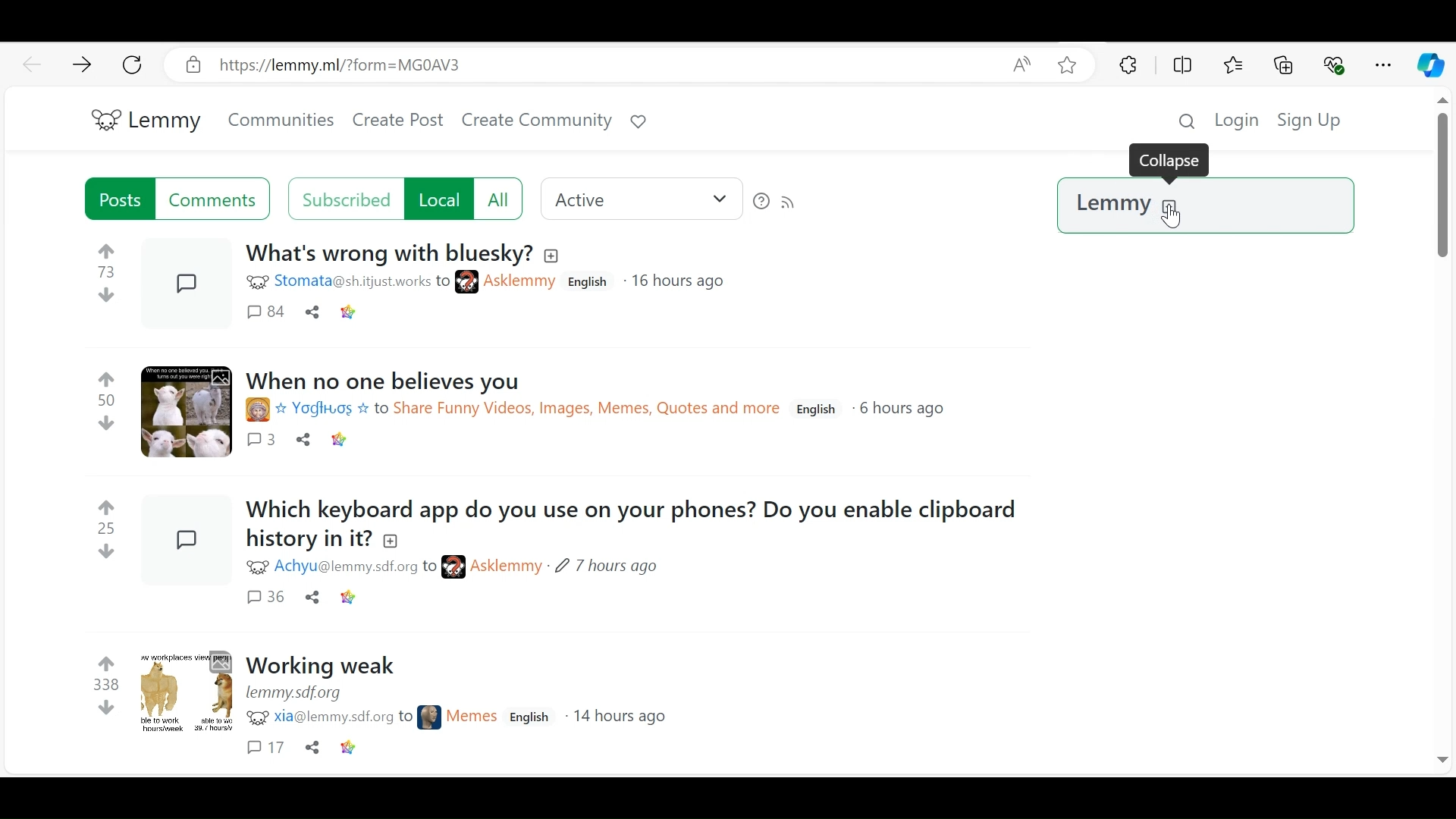 The height and width of the screenshot is (819, 1456). Describe the element at coordinates (1285, 65) in the screenshot. I see `Collections` at that location.